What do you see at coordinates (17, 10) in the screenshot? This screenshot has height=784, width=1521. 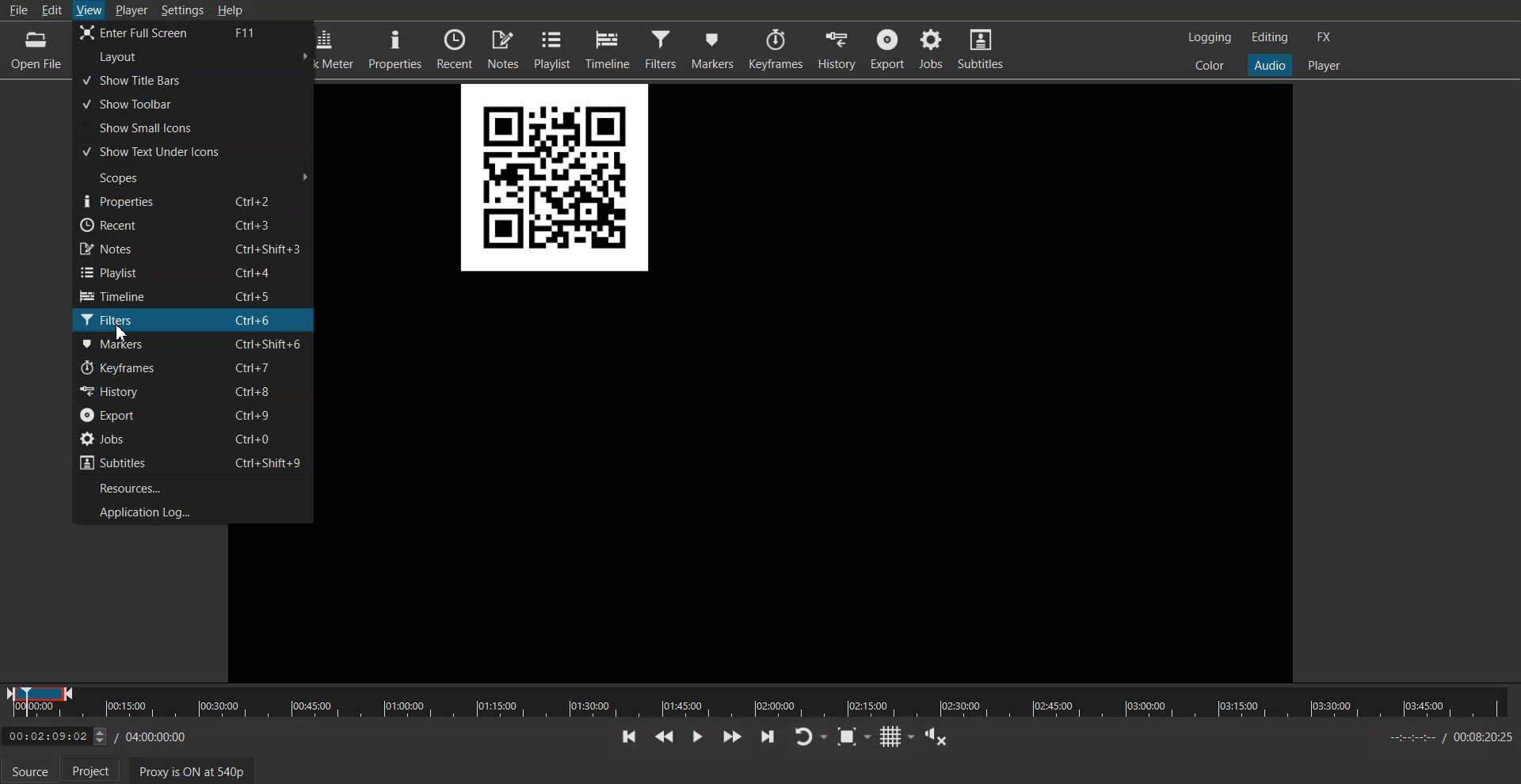 I see `File` at bounding box center [17, 10].